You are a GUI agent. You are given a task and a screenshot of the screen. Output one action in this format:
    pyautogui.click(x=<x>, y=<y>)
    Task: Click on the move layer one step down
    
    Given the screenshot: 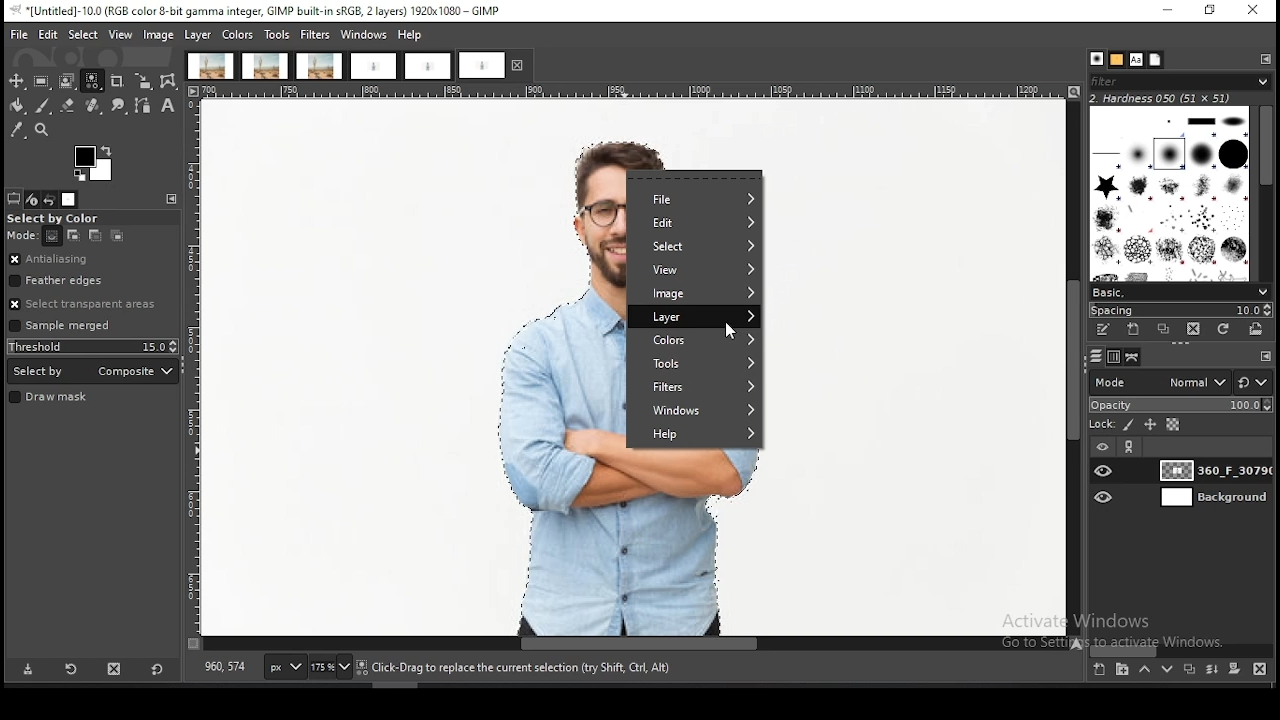 What is the action you would take?
    pyautogui.click(x=1164, y=669)
    